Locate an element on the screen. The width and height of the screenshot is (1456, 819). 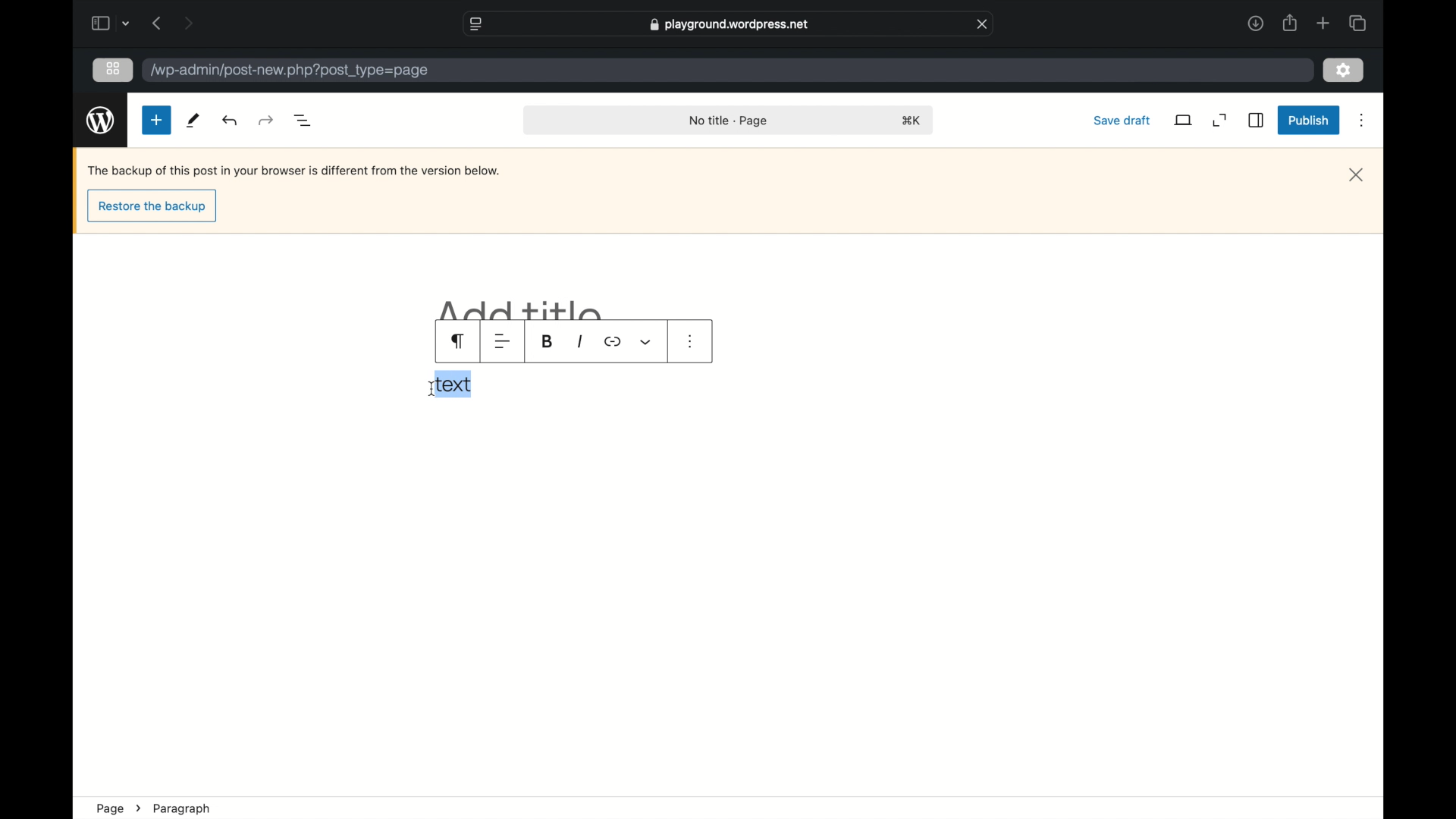
I beam cursor is located at coordinates (432, 388).